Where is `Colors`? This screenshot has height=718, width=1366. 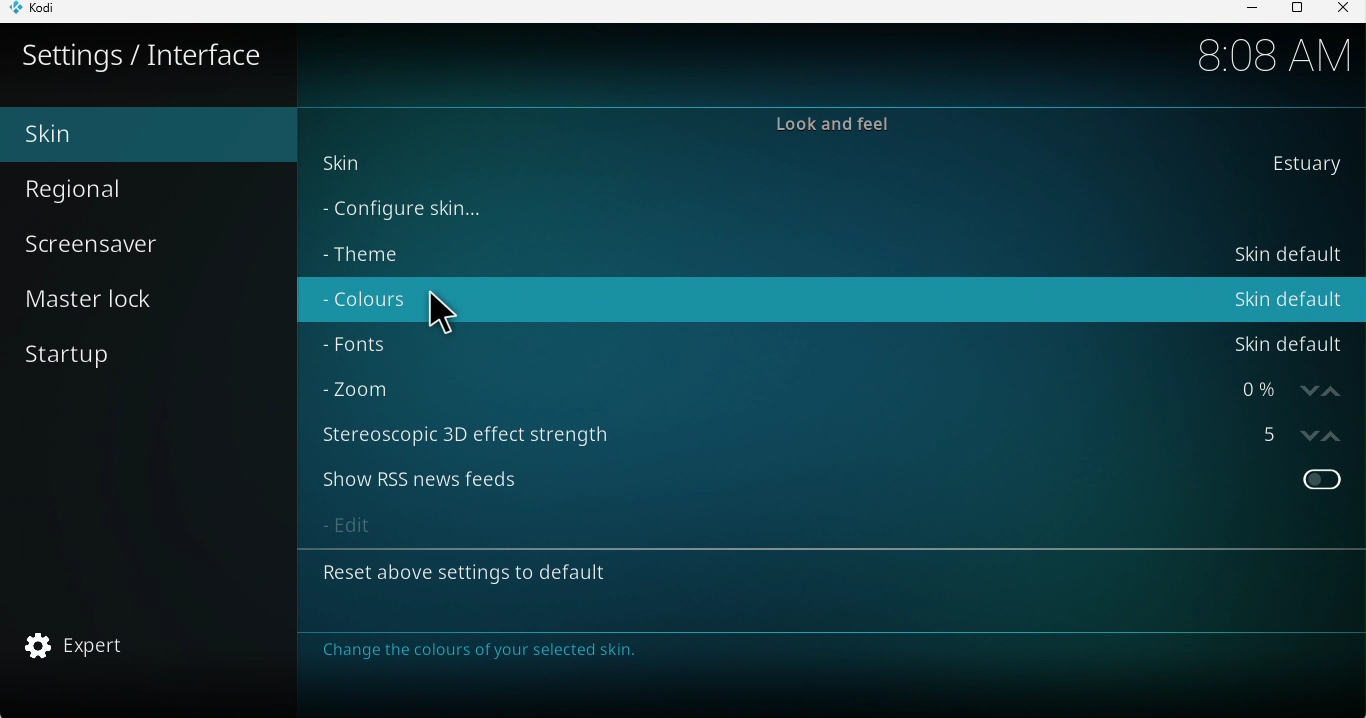
Colors is located at coordinates (832, 299).